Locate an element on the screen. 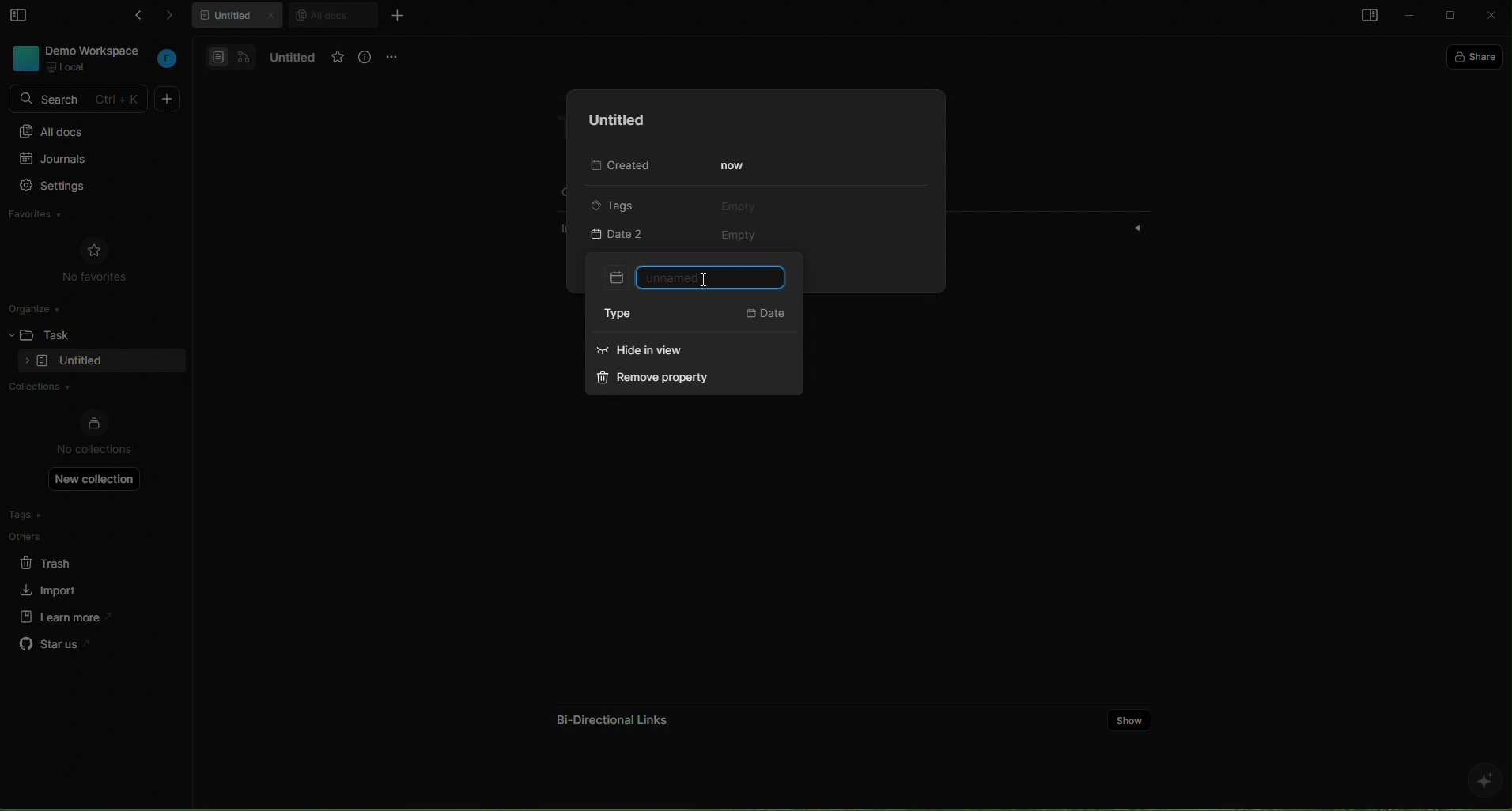 This screenshot has width=1512, height=811. new collection is located at coordinates (95, 478).